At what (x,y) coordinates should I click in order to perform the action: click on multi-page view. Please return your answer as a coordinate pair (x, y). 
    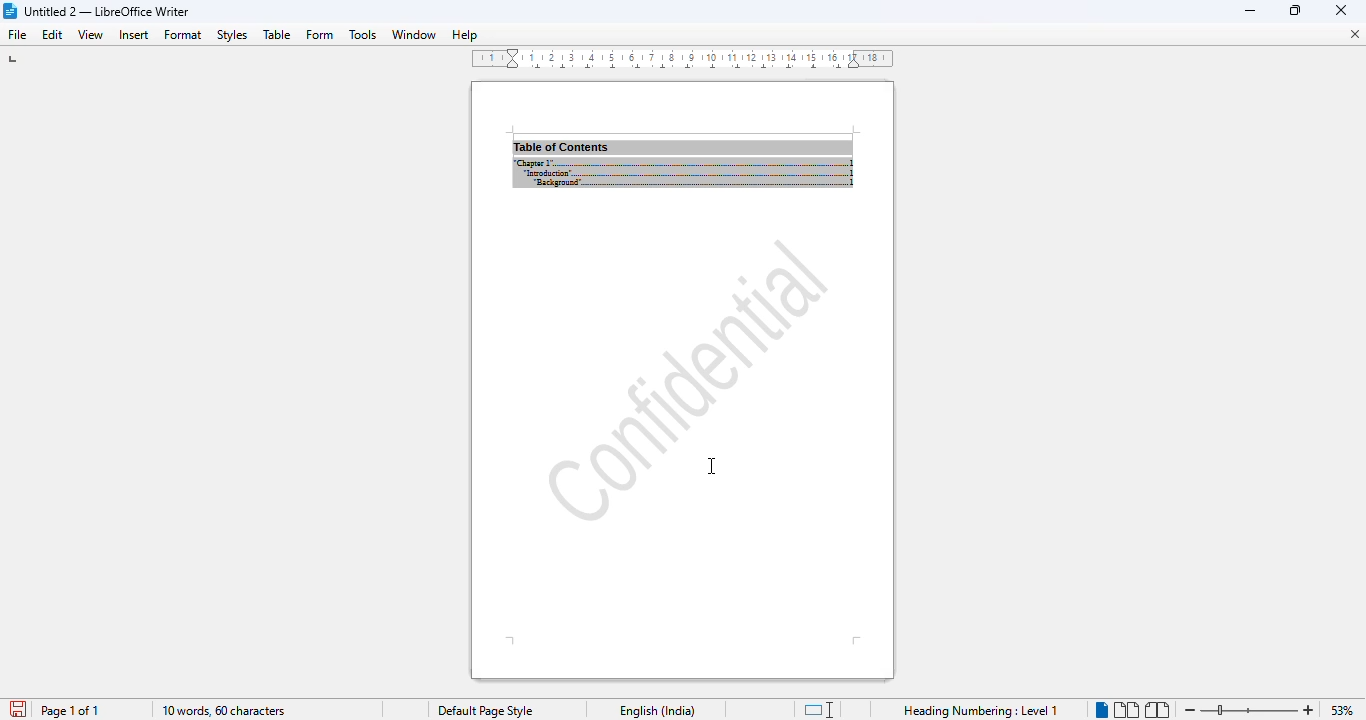
    Looking at the image, I should click on (1126, 709).